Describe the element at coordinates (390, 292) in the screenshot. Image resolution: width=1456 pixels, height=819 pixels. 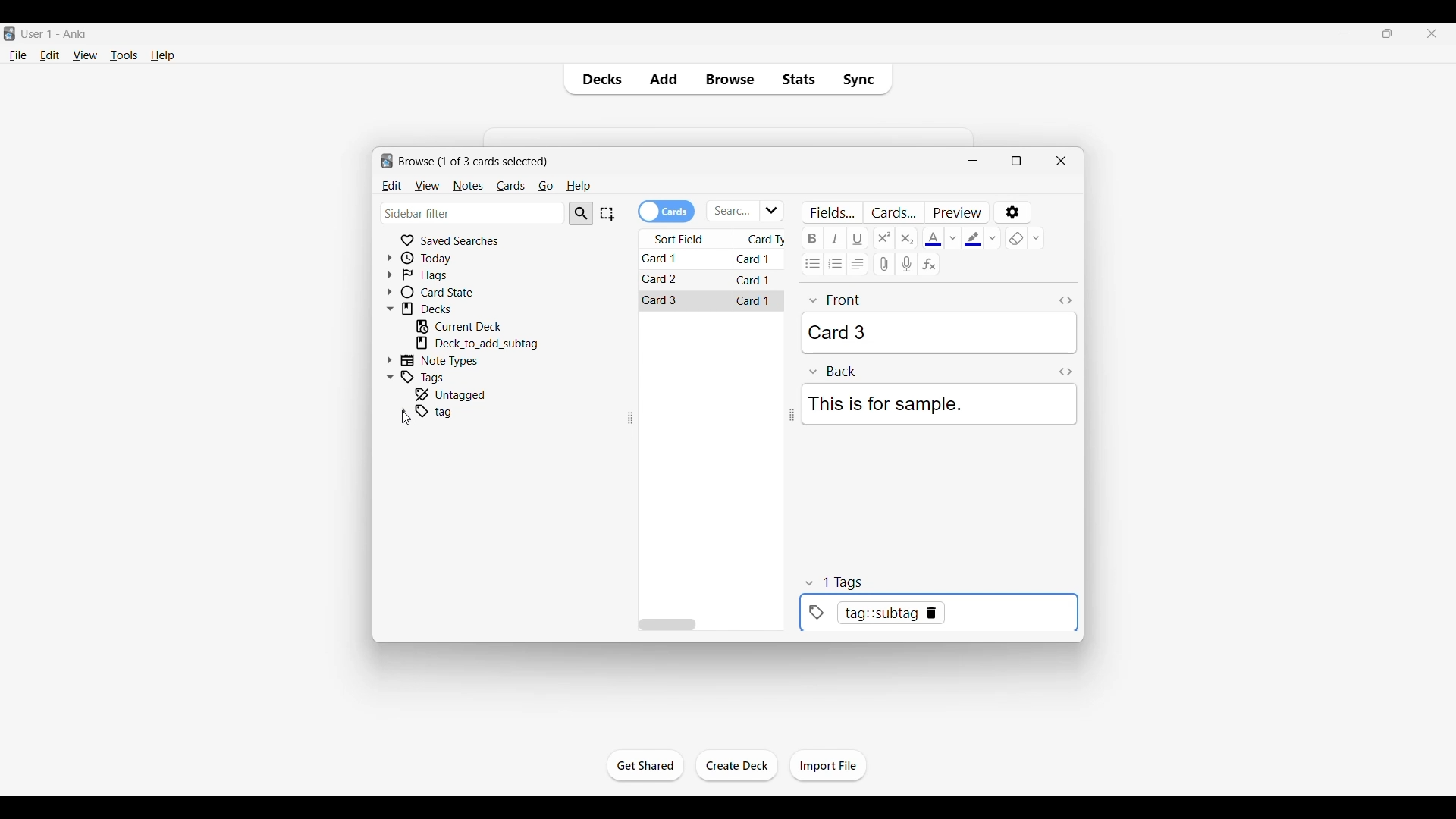
I see `Click to expand card state` at that location.